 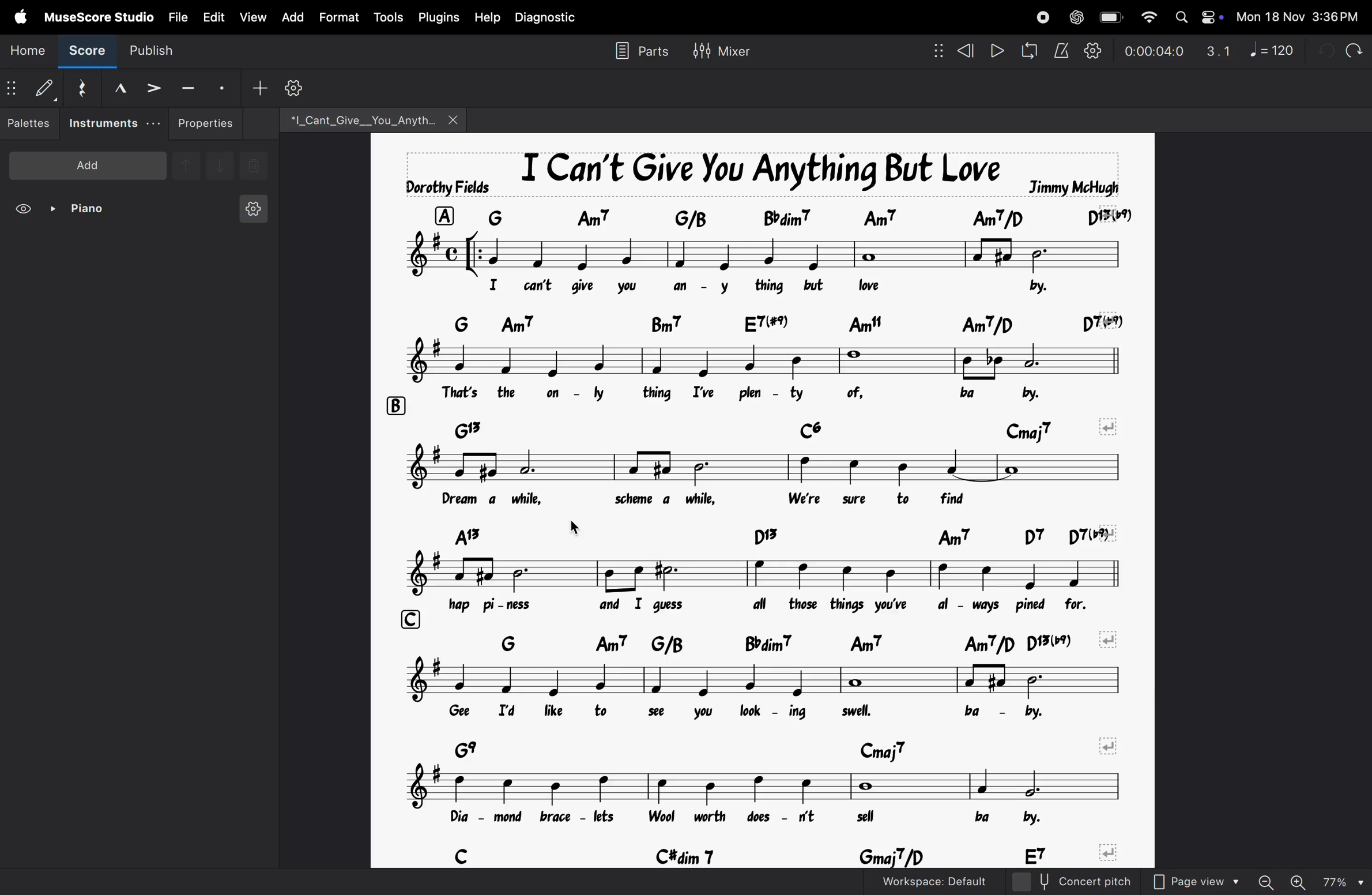 I want to click on notes, so click(x=768, y=574).